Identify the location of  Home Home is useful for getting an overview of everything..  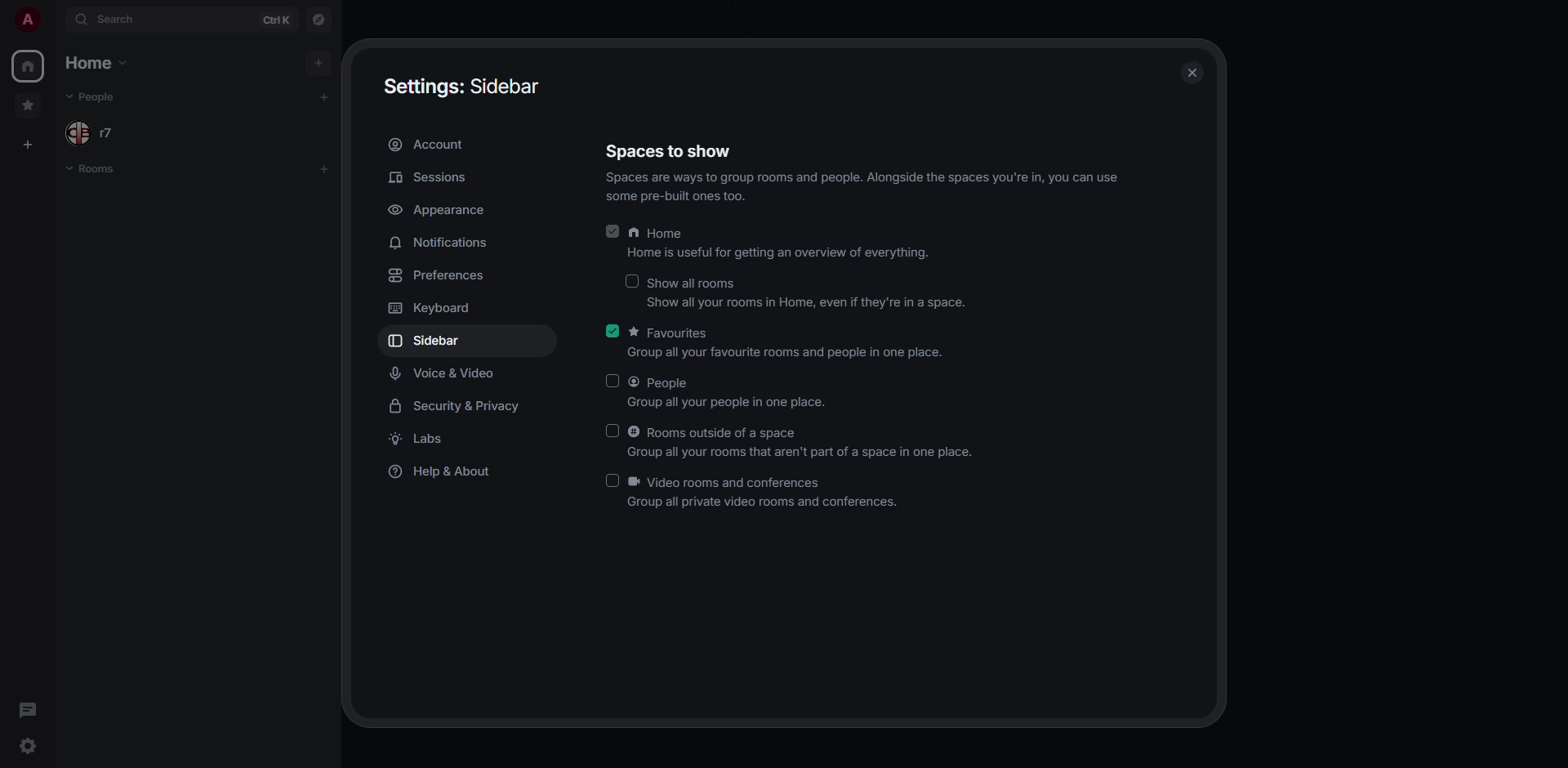
(781, 242).